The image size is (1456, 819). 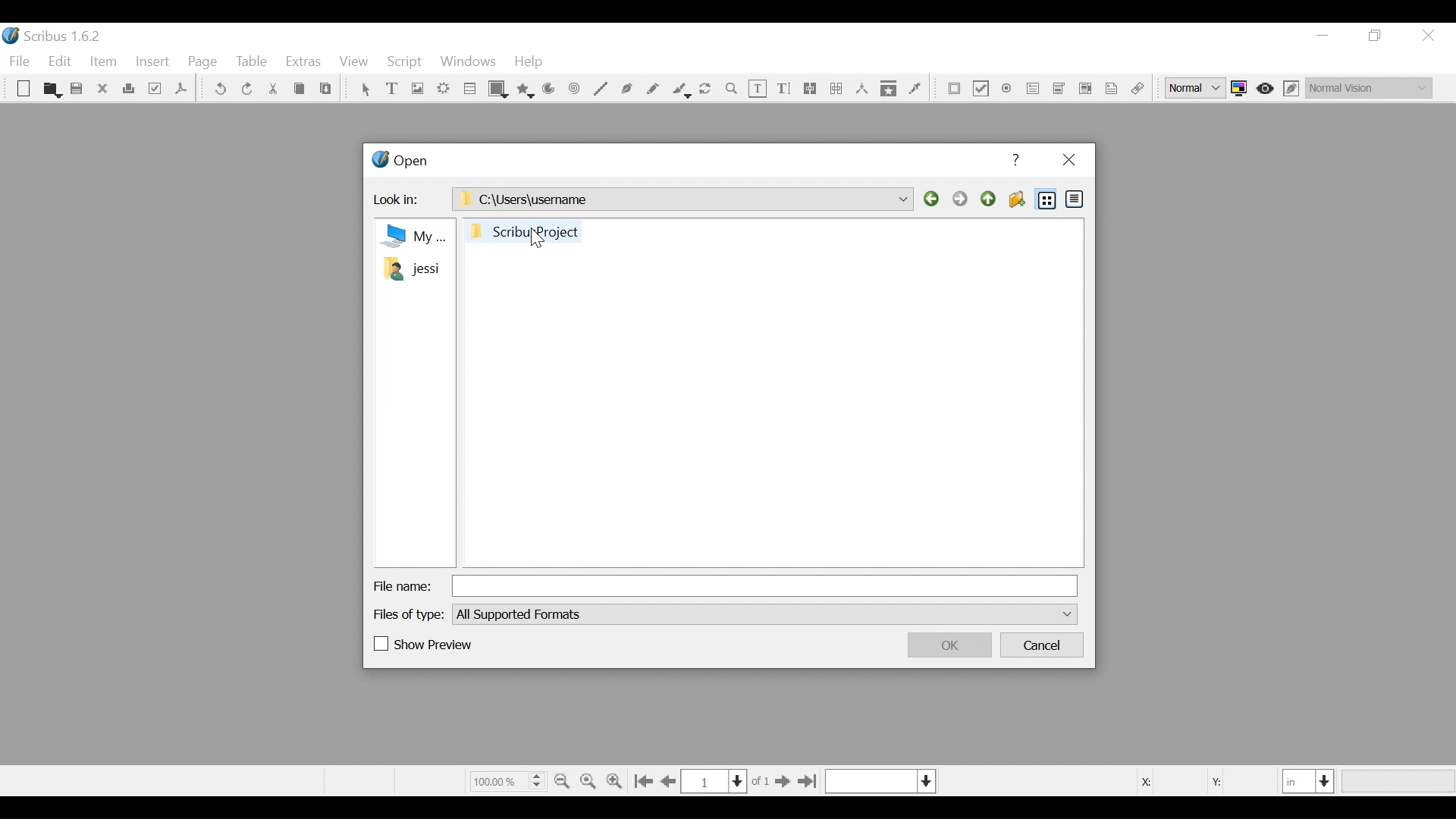 What do you see at coordinates (22, 61) in the screenshot?
I see `File` at bounding box center [22, 61].